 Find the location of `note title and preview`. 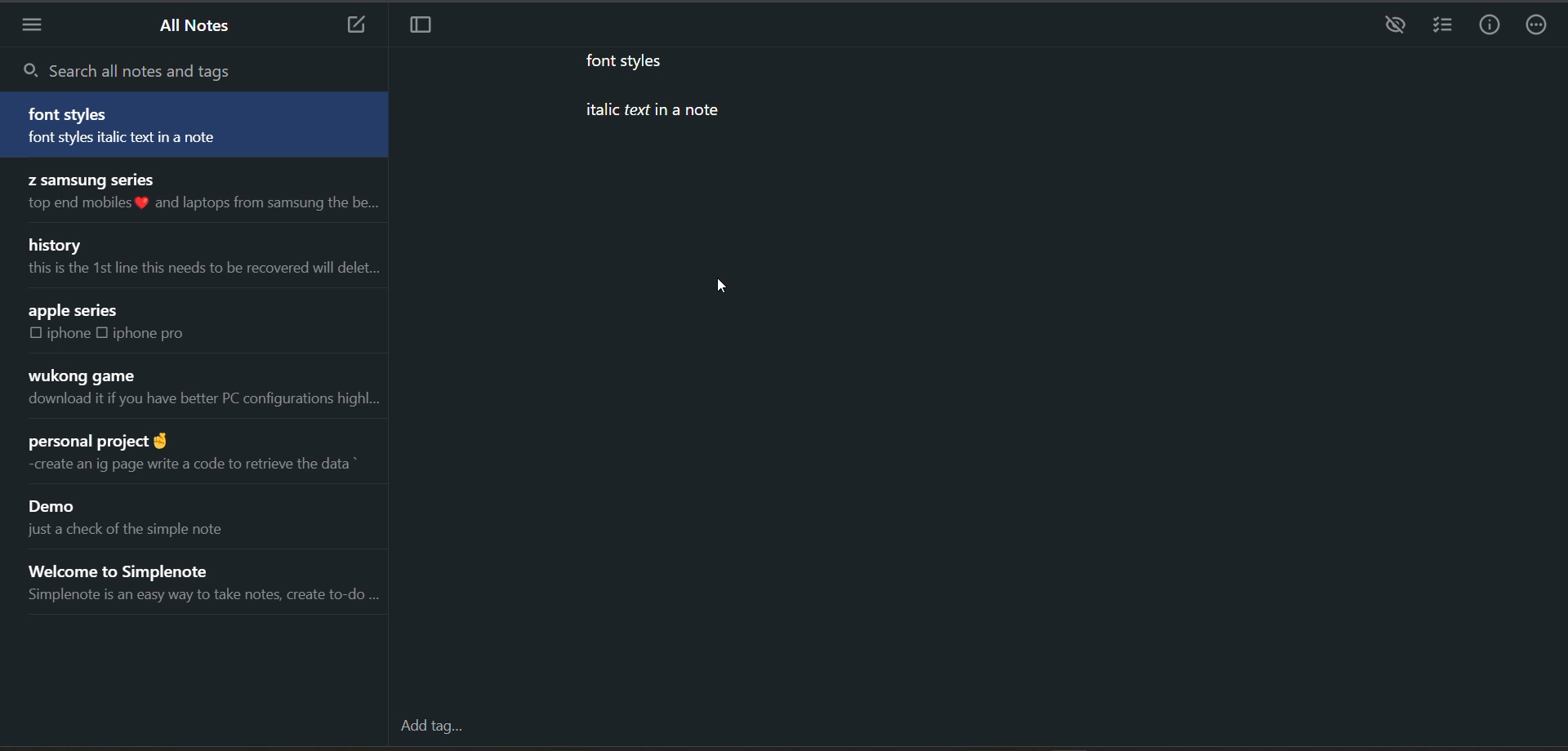

note title and preview is located at coordinates (197, 457).